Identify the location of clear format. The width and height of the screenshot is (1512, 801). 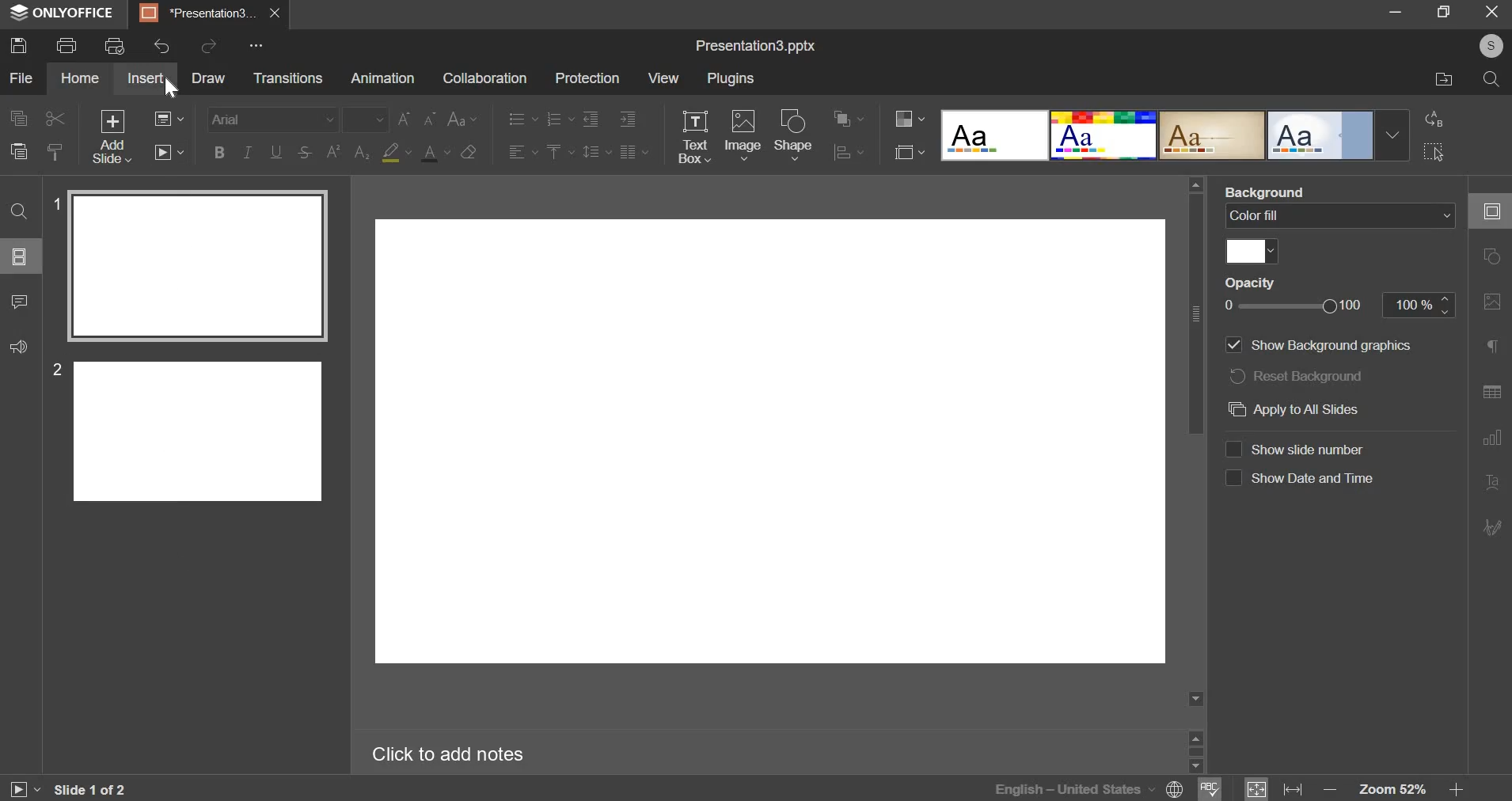
(467, 152).